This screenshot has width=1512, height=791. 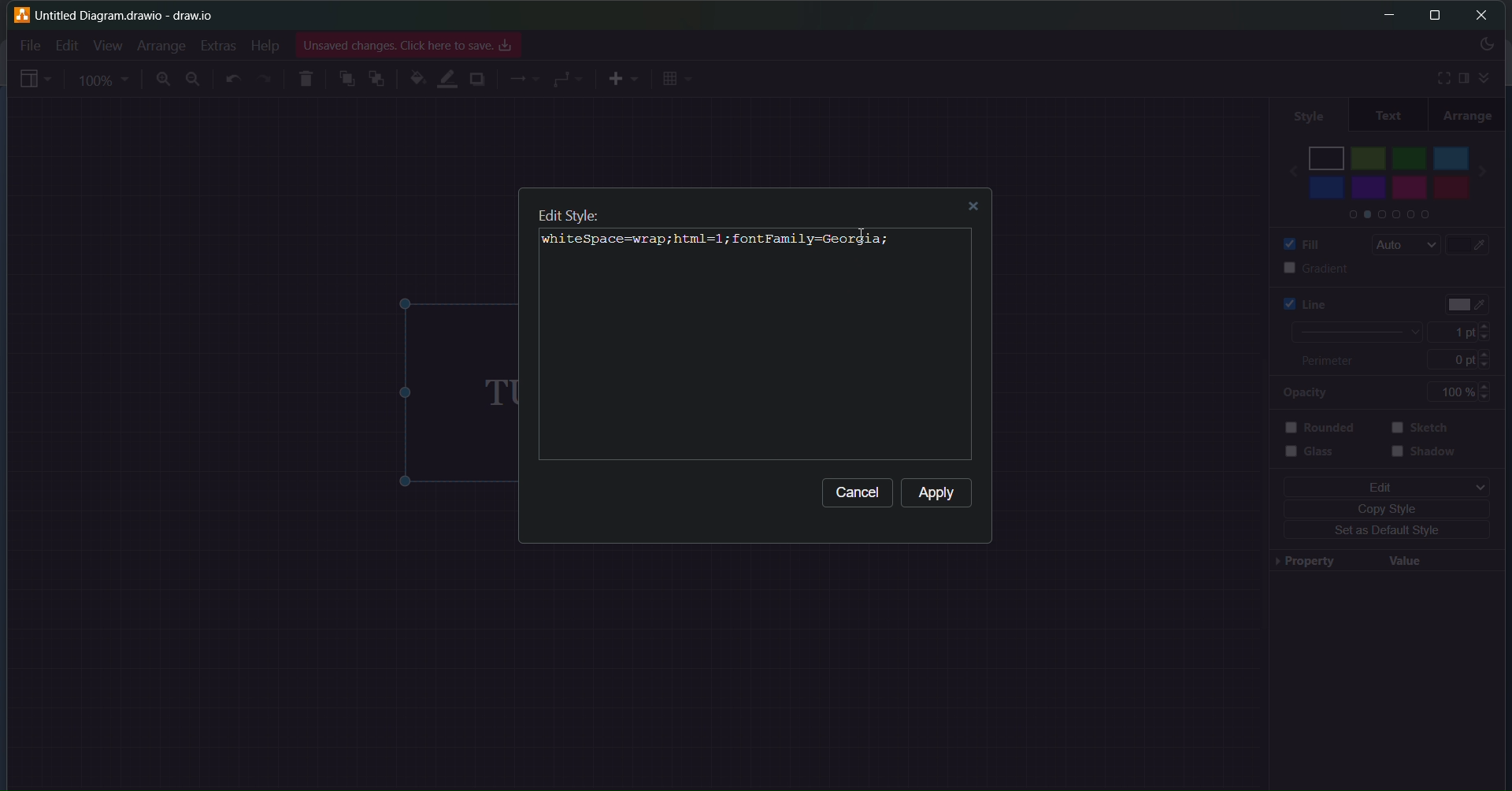 What do you see at coordinates (1477, 245) in the screenshot?
I see `fill color` at bounding box center [1477, 245].